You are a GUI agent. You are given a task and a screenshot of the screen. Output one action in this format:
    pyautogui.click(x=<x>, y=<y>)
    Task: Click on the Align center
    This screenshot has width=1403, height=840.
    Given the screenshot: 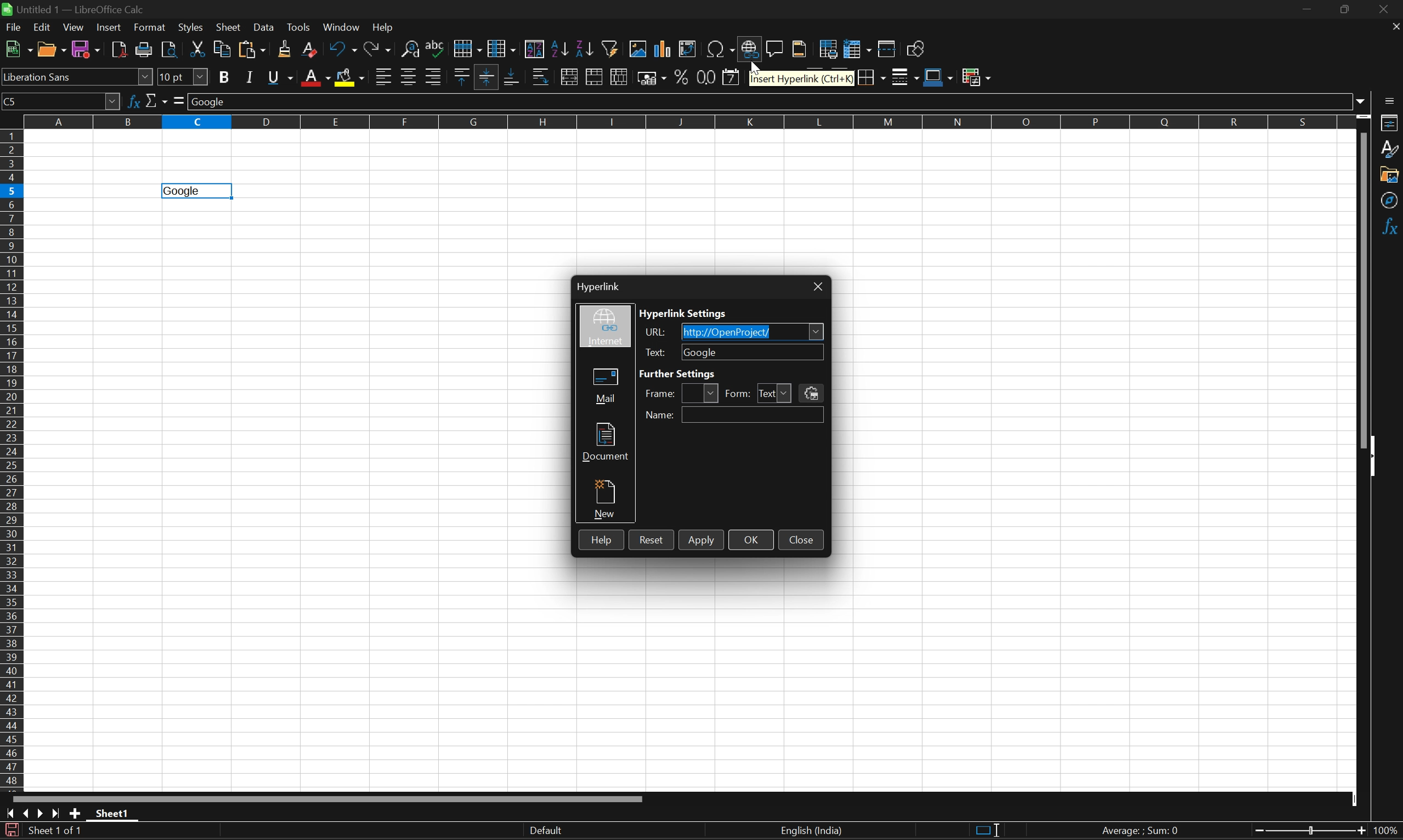 What is the action you would take?
    pyautogui.click(x=411, y=78)
    